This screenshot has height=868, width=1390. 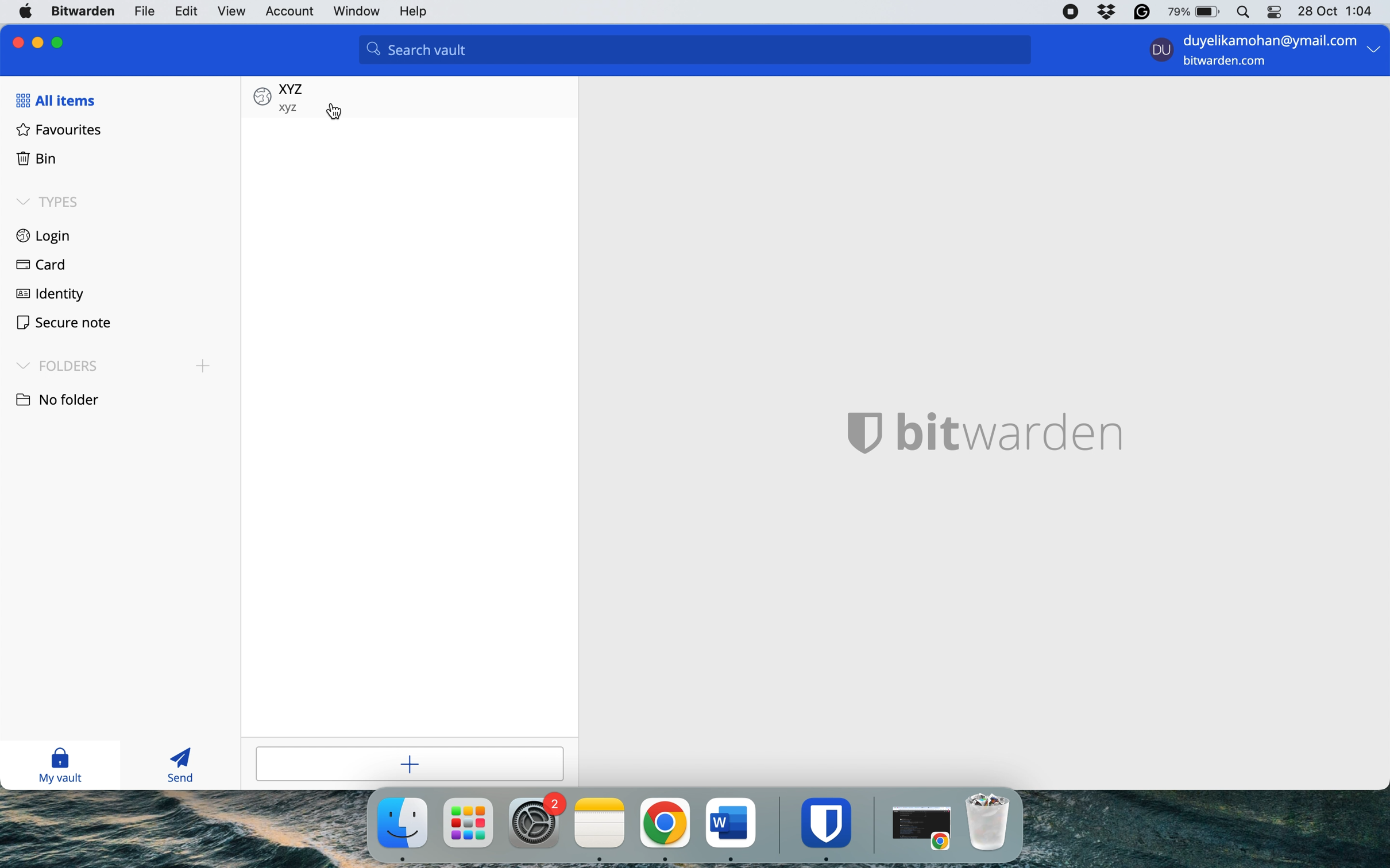 I want to click on card, so click(x=40, y=263).